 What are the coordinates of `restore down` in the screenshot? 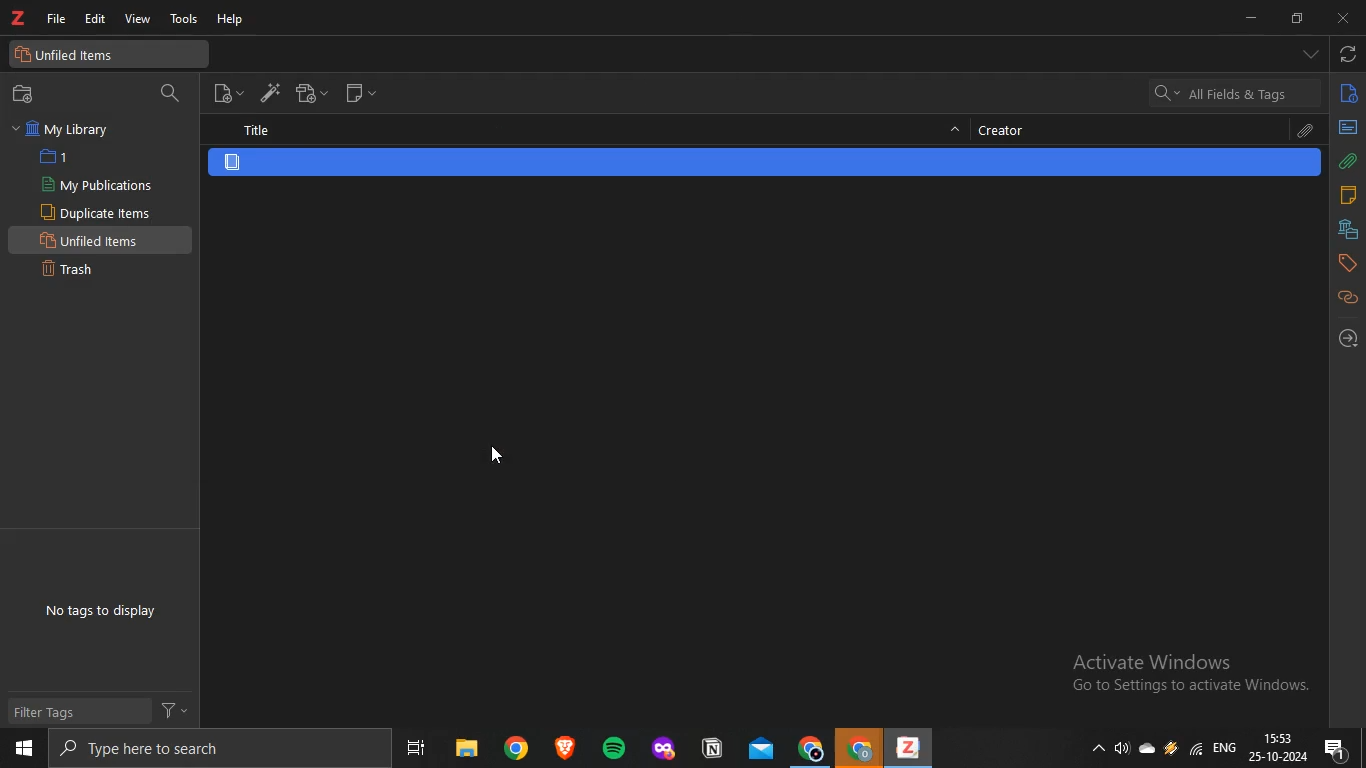 It's located at (1297, 20).